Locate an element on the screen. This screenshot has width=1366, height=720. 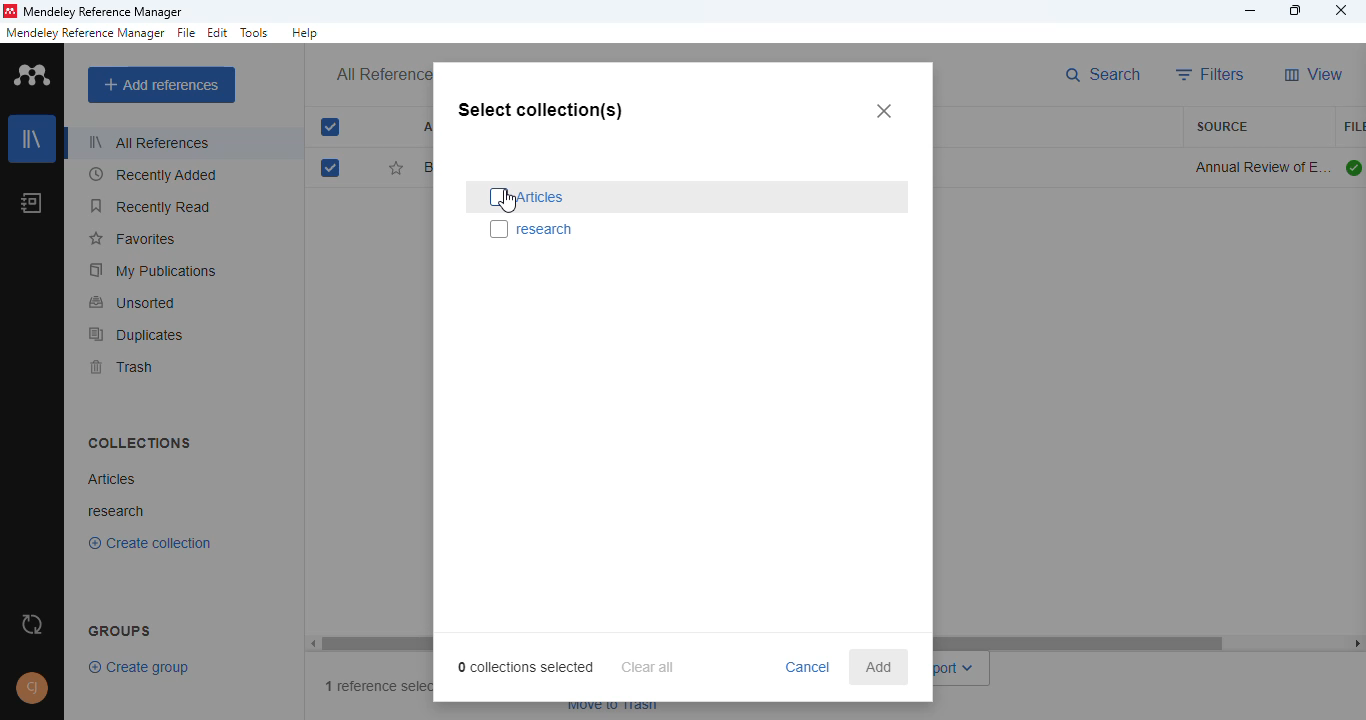
mendeley reference manager is located at coordinates (104, 12).